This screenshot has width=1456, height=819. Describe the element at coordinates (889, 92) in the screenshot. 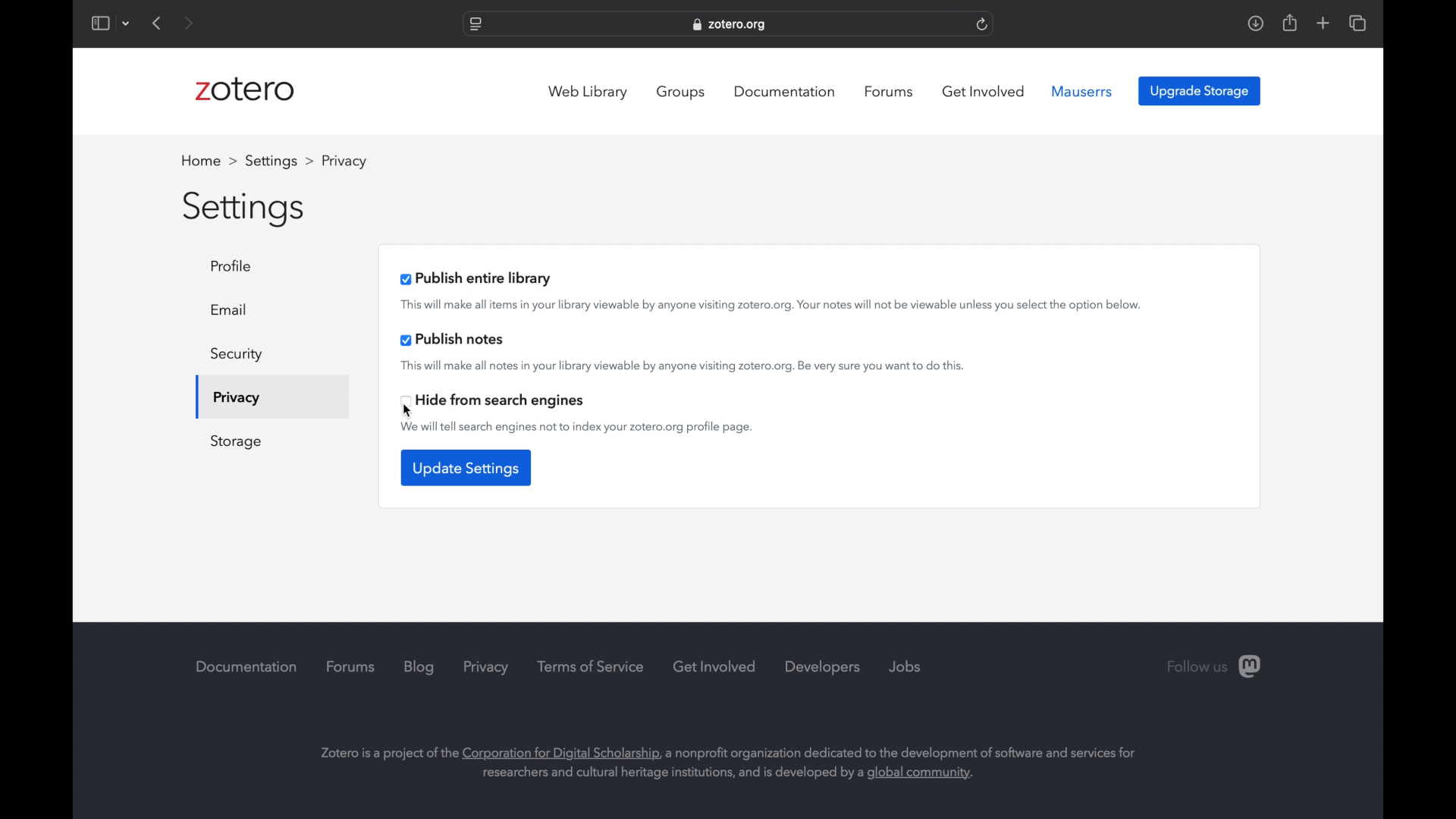

I see `forums` at that location.